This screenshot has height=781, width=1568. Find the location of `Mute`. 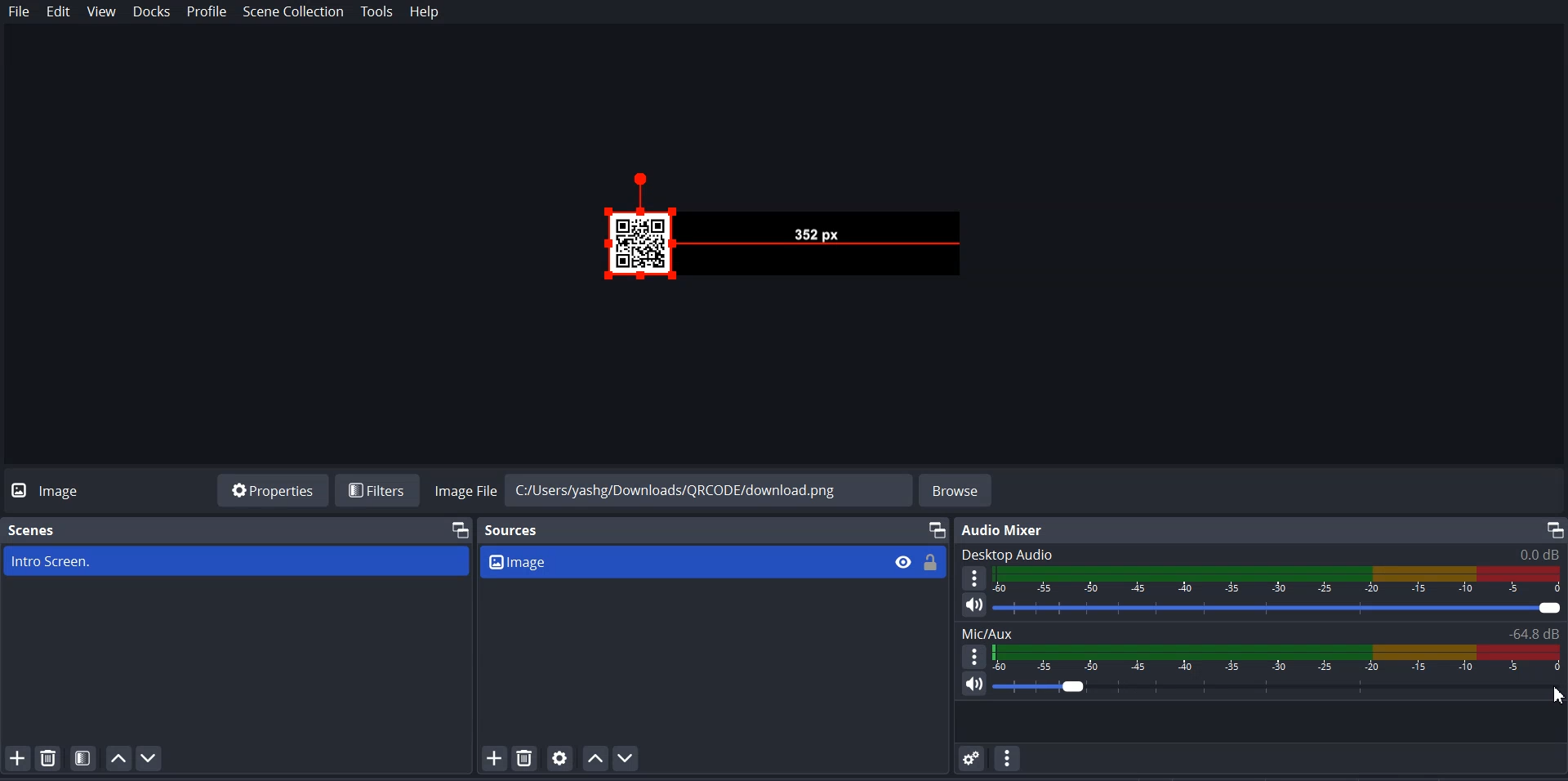

Mute is located at coordinates (975, 683).